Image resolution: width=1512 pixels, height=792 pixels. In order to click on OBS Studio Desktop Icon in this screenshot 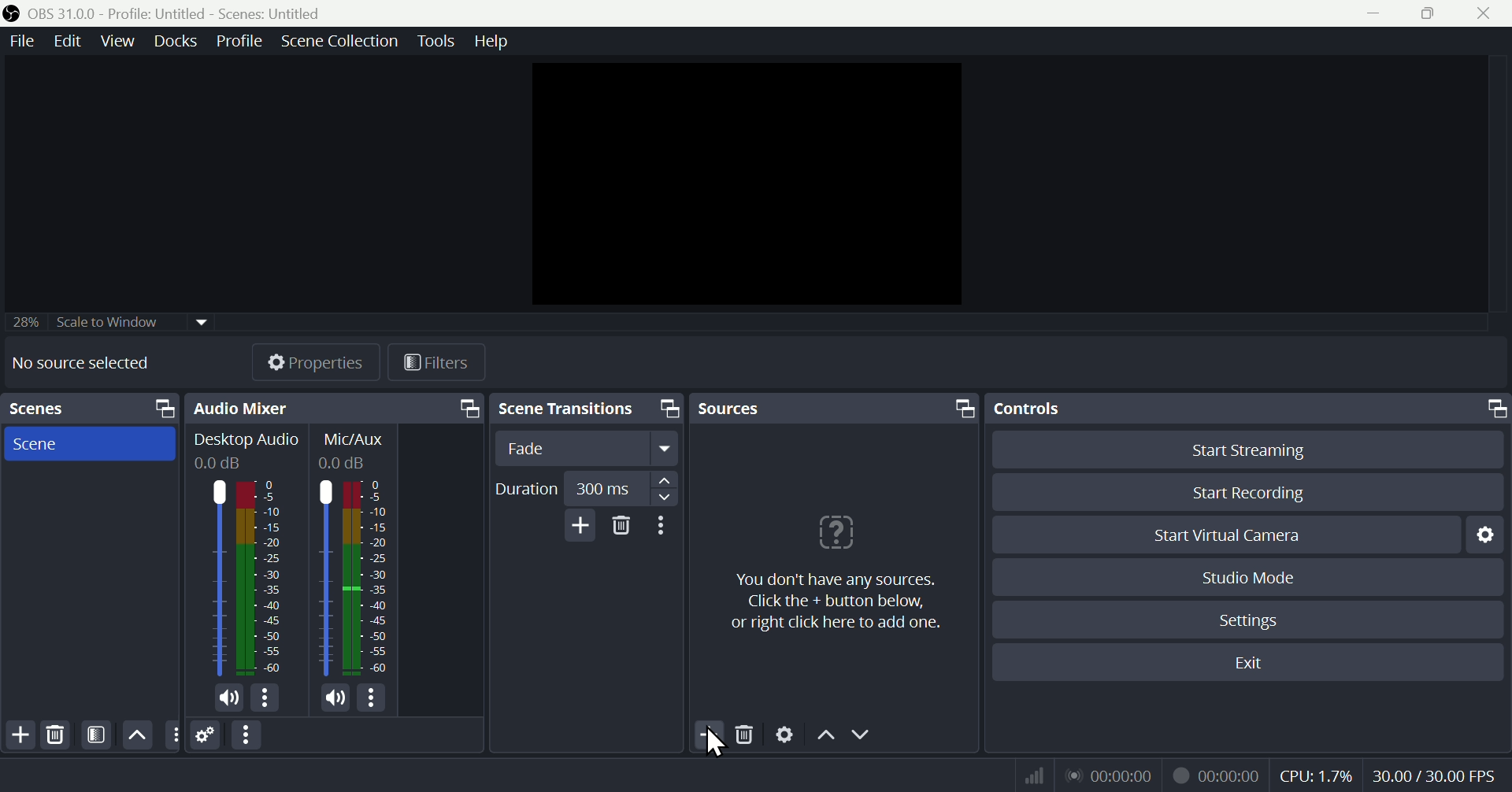, I will do `click(12, 13)`.